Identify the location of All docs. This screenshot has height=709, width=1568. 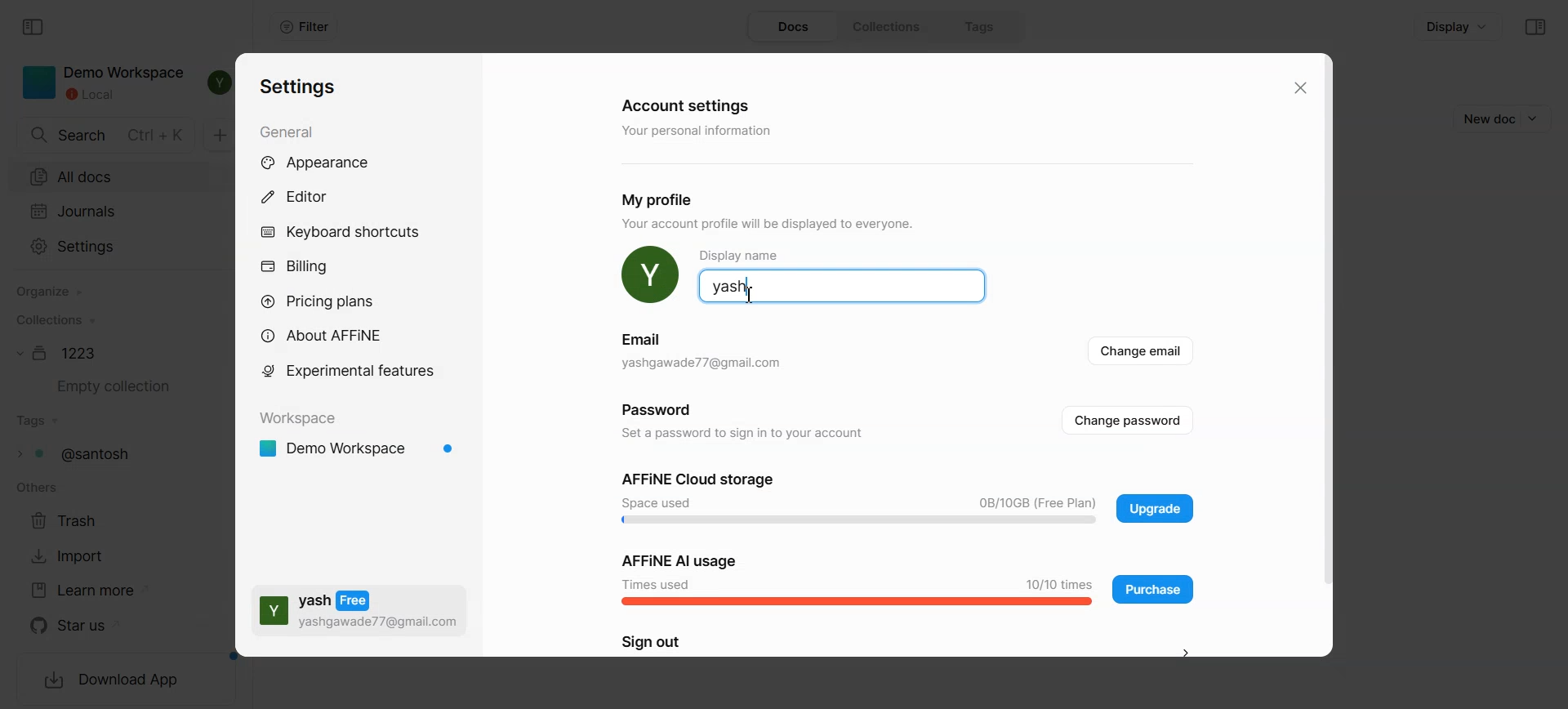
(110, 175).